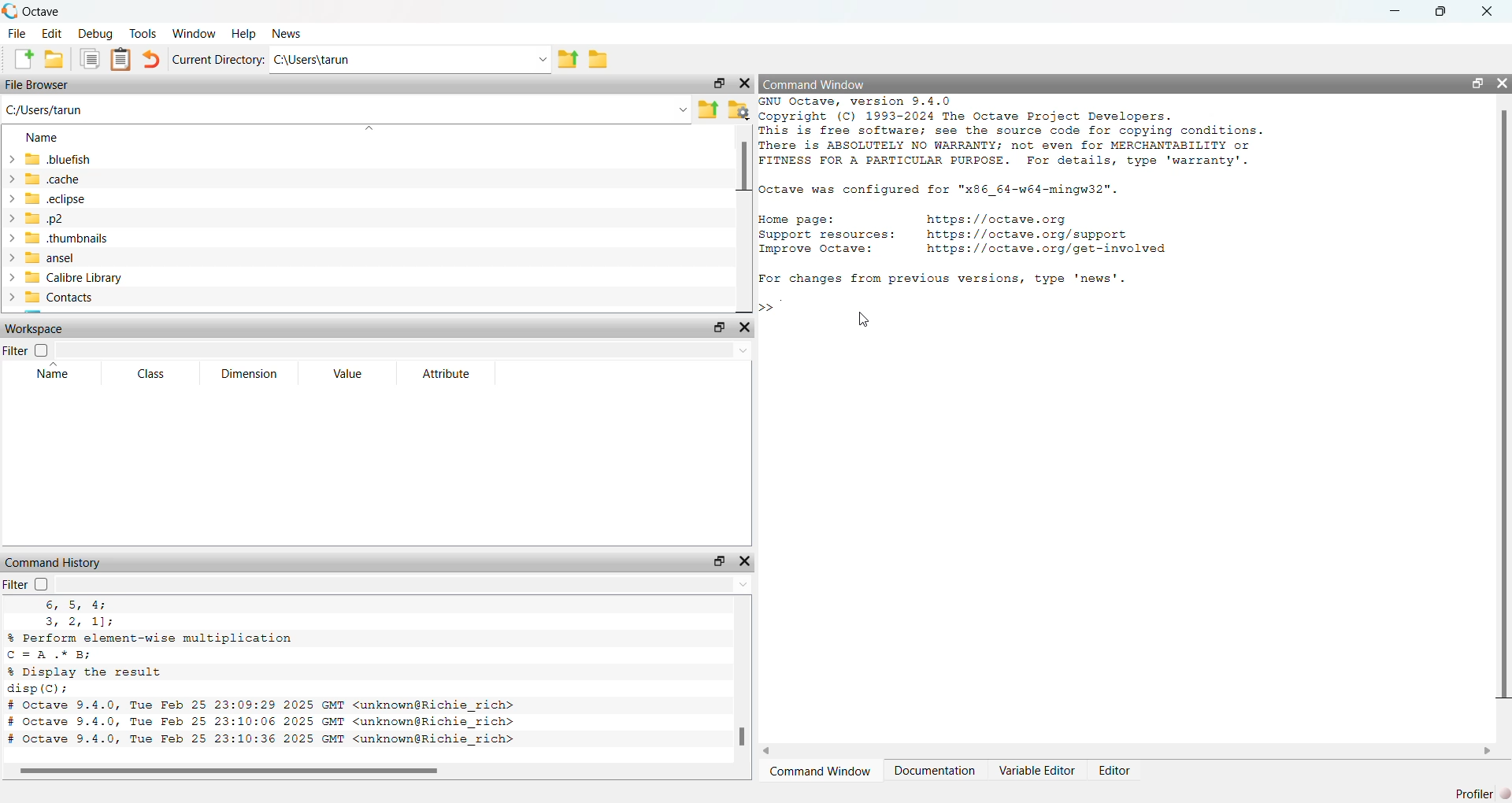  What do you see at coordinates (710, 111) in the screenshot?
I see `Parent Directory` at bounding box center [710, 111].